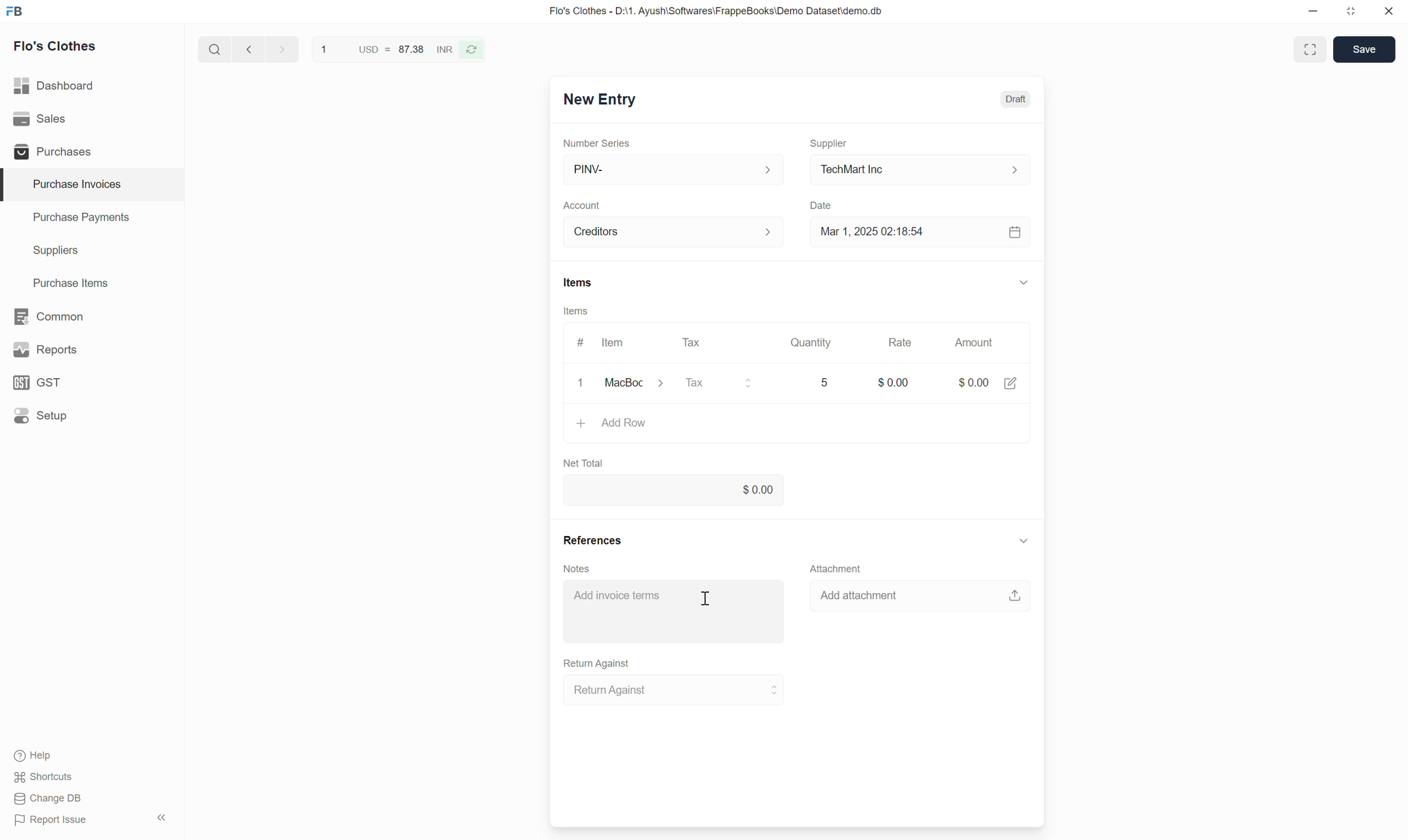 The height and width of the screenshot is (840, 1408). Describe the element at coordinates (809, 342) in the screenshot. I see `Quantity` at that location.